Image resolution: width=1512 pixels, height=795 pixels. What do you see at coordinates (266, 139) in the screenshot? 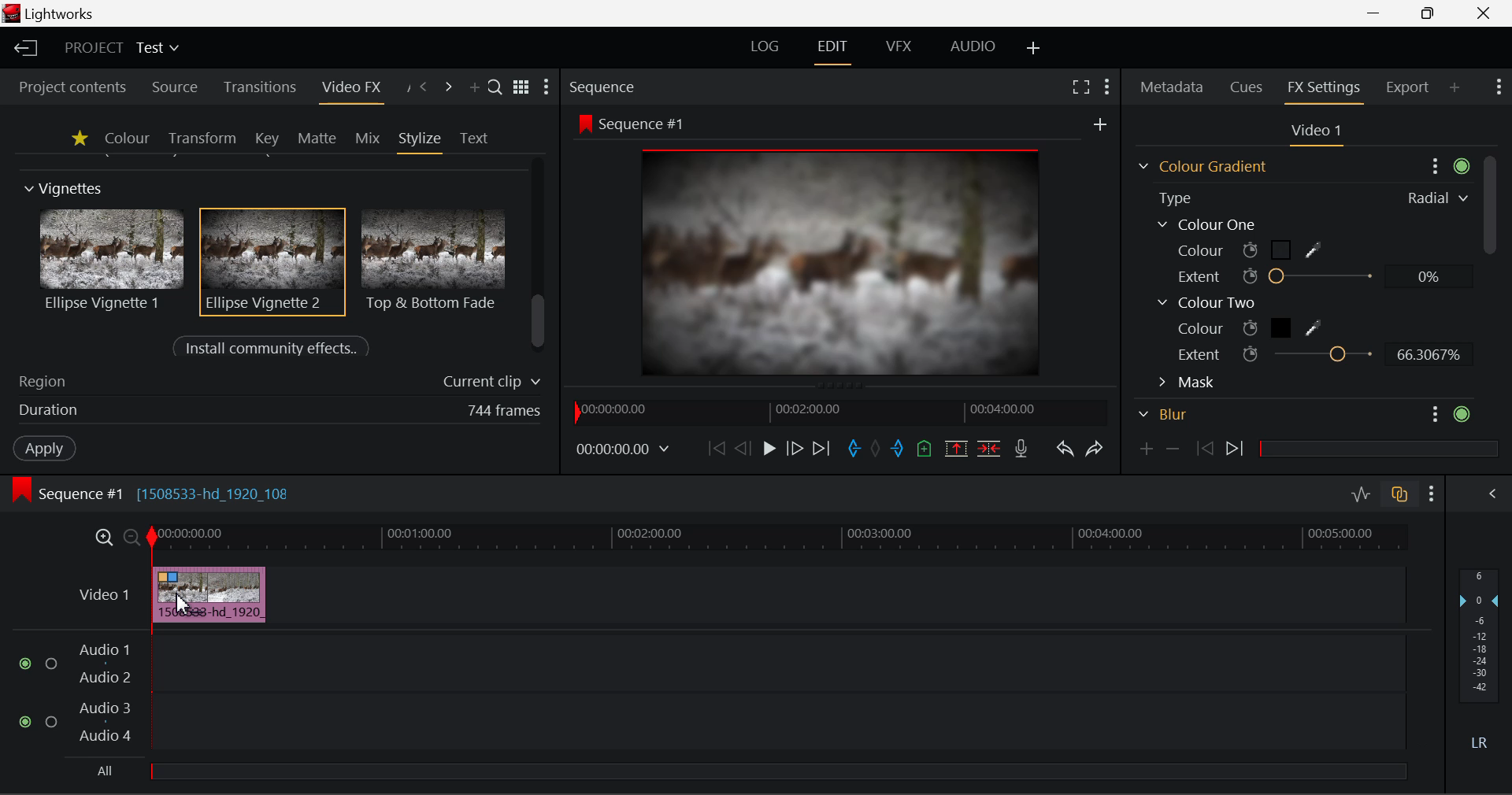
I see `Key` at bounding box center [266, 139].